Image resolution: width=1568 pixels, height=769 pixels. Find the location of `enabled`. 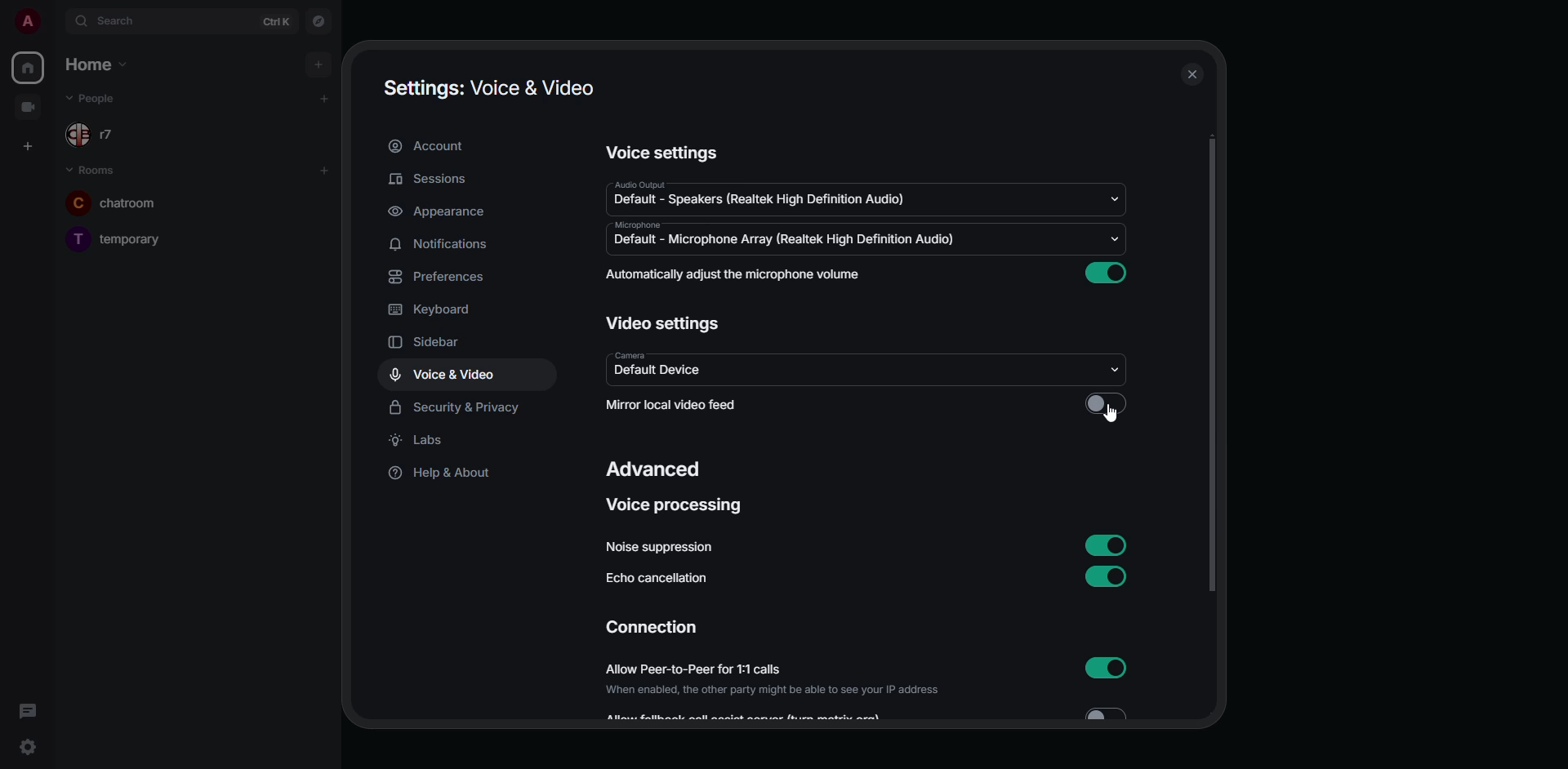

enabled is located at coordinates (1108, 274).